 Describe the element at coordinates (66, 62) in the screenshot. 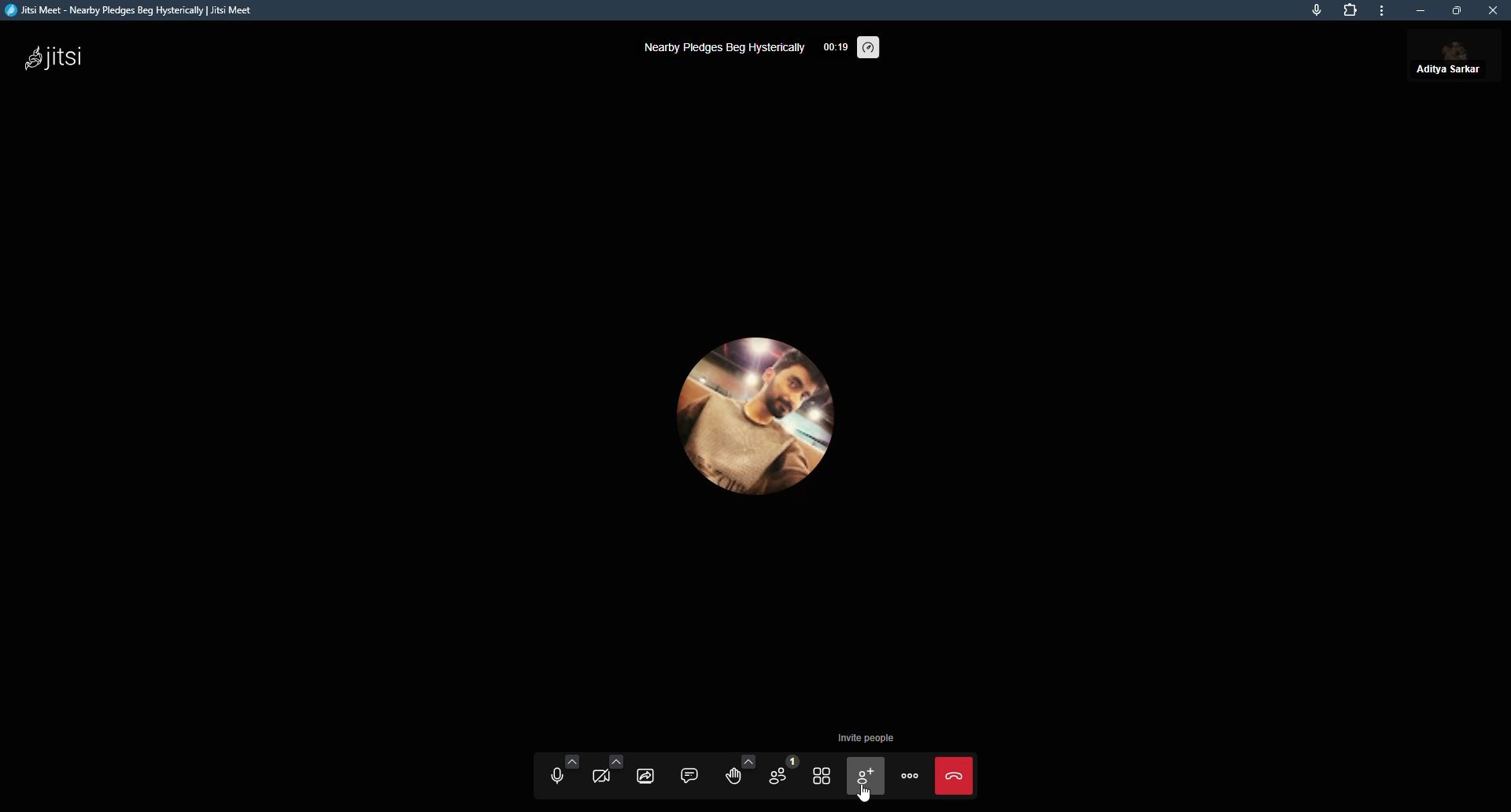

I see `jitsi` at that location.